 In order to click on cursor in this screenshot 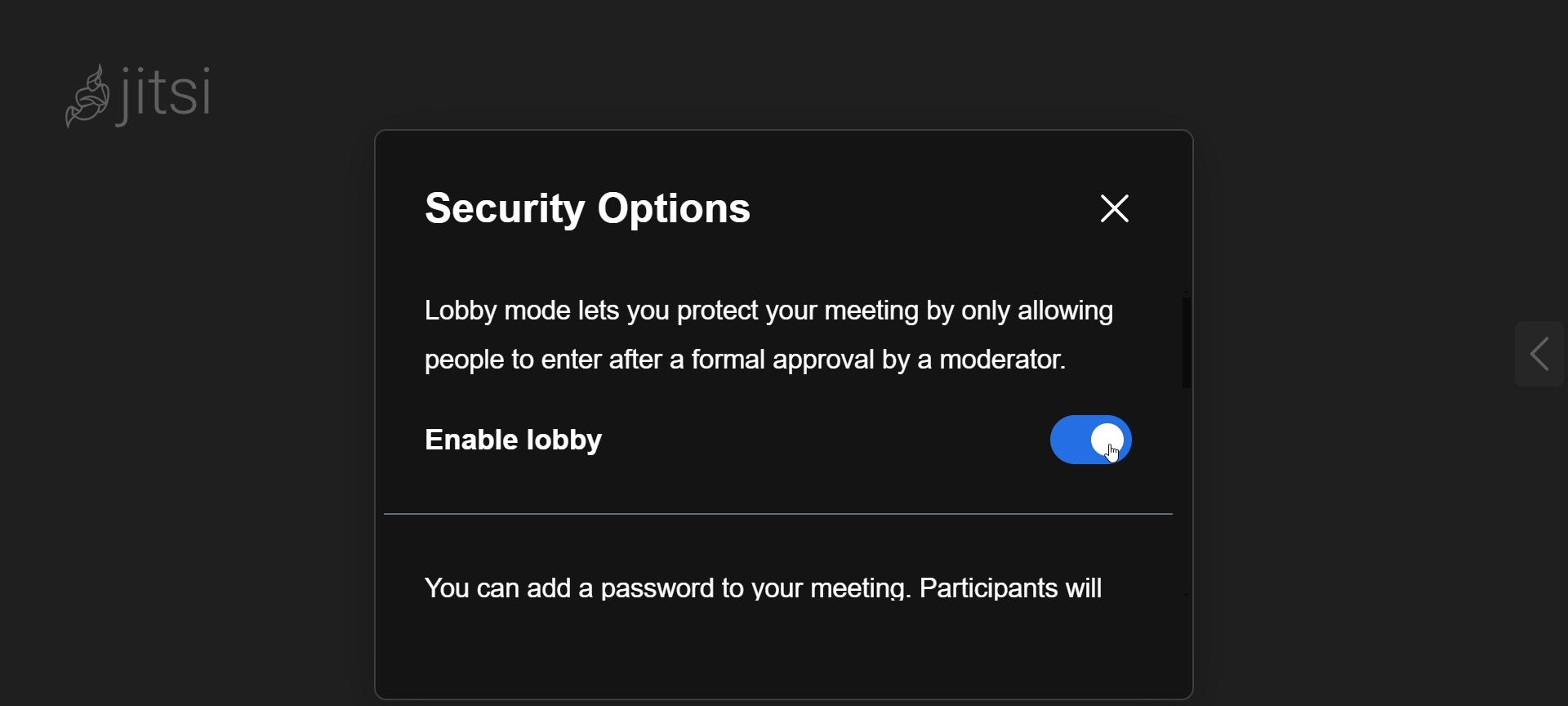, I will do `click(1101, 466)`.